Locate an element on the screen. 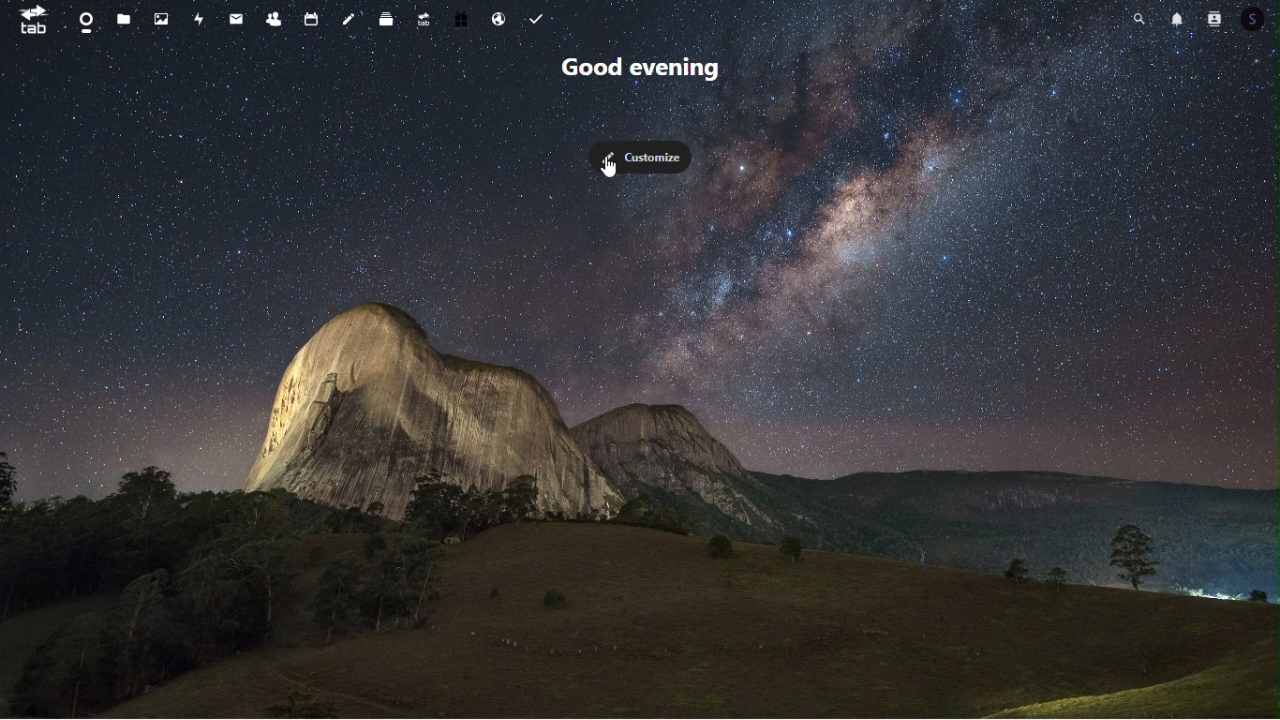  customize  is located at coordinates (646, 156).